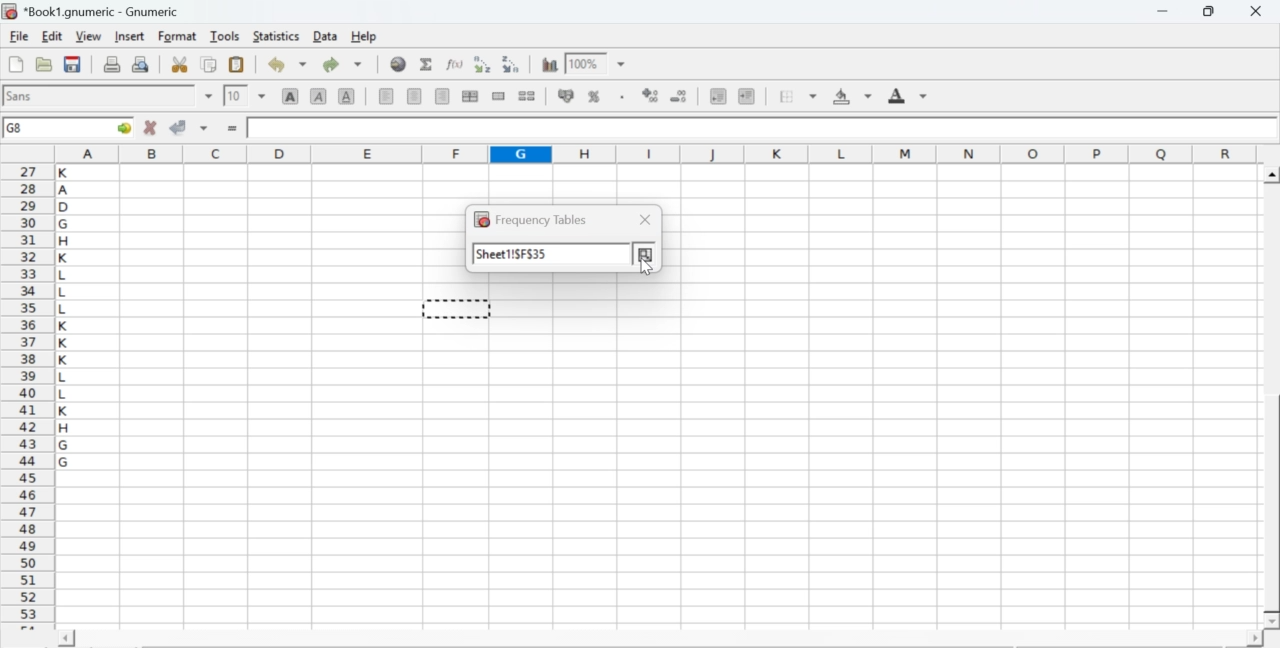  Describe the element at coordinates (514, 254) in the screenshot. I see `sheet1!$F$35` at that location.